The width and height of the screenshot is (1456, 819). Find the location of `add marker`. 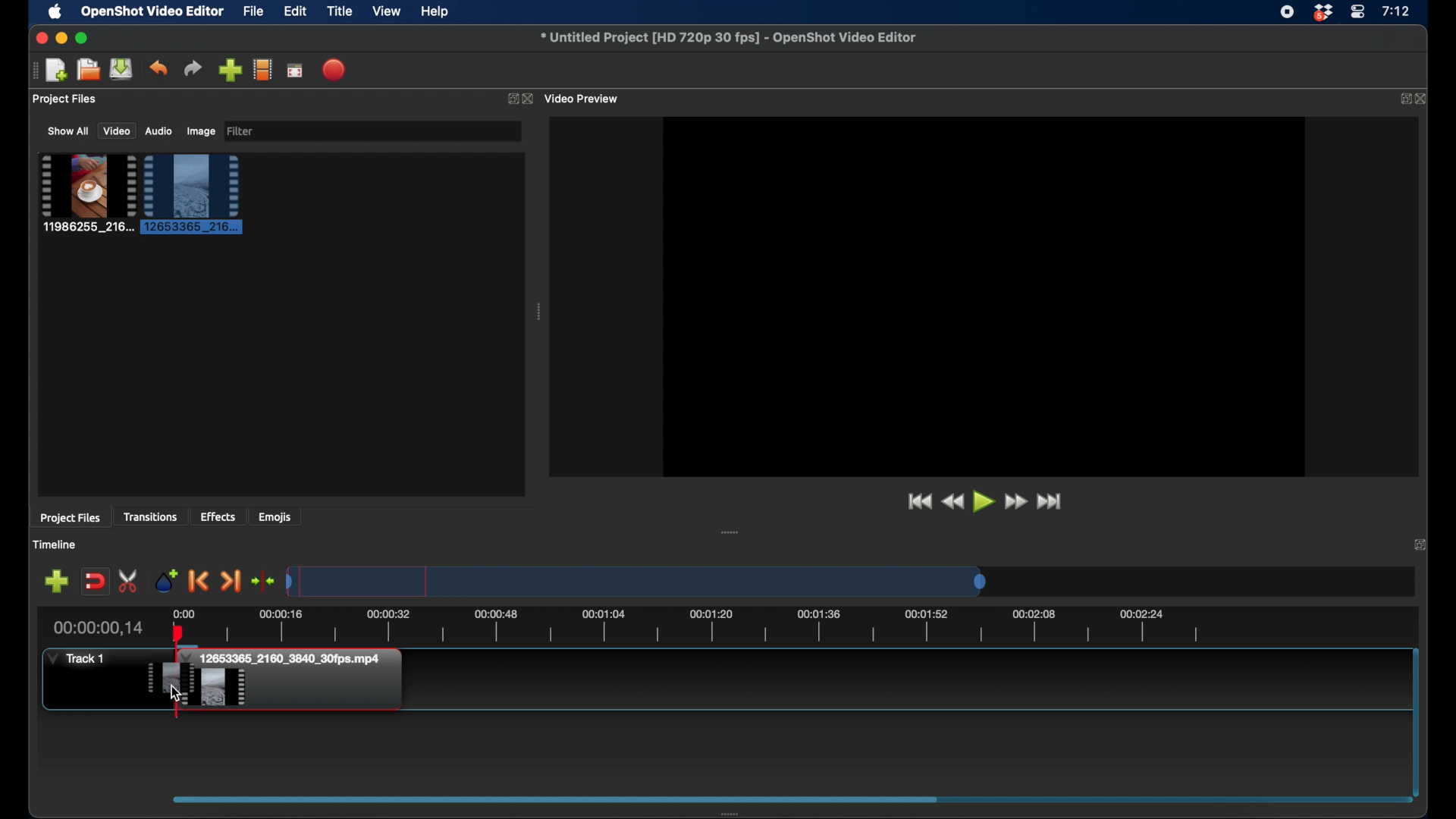

add marker is located at coordinates (165, 580).